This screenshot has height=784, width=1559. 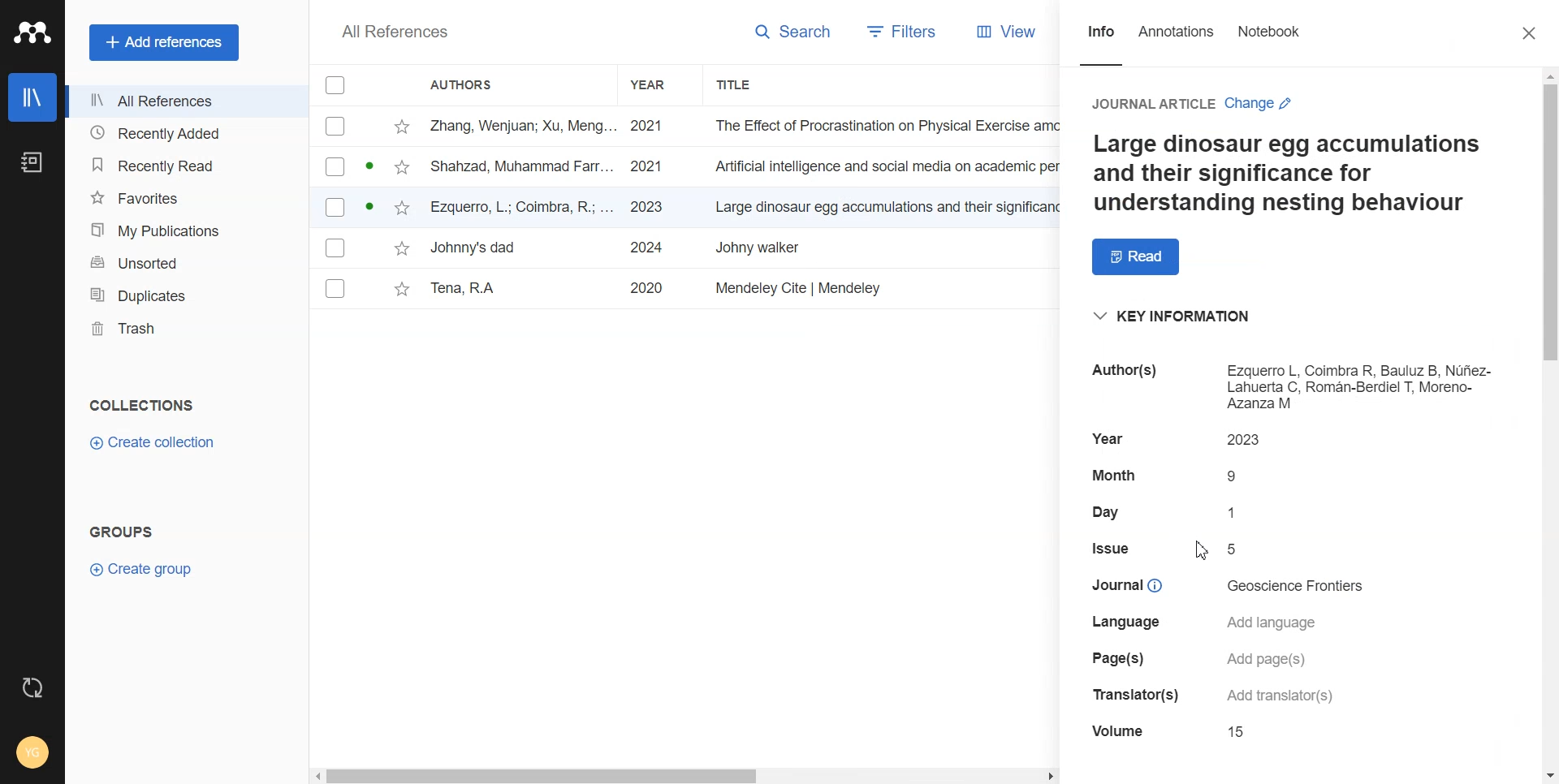 I want to click on Notebook, so click(x=1271, y=32).